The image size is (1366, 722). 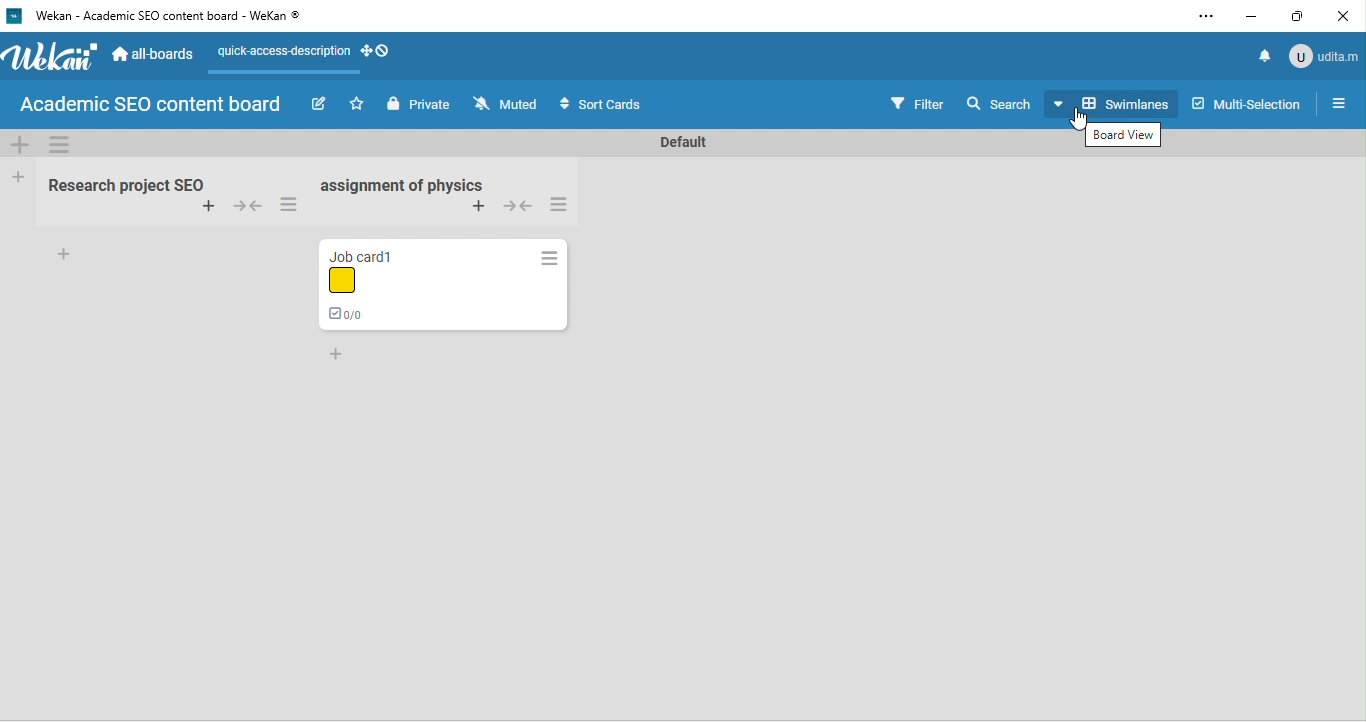 What do you see at coordinates (50, 59) in the screenshot?
I see `wekan logo` at bounding box center [50, 59].